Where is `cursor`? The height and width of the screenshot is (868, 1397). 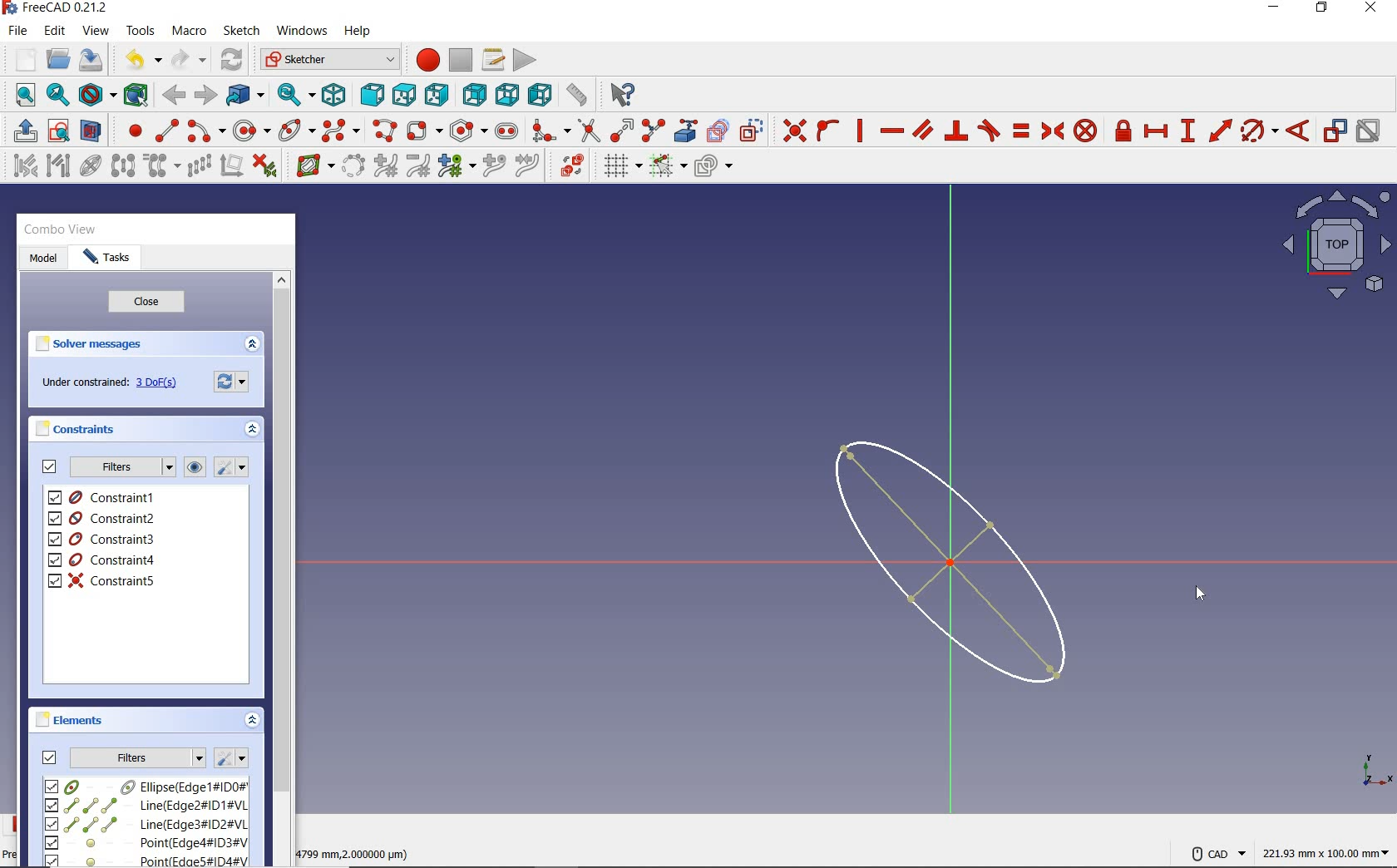 cursor is located at coordinates (1200, 593).